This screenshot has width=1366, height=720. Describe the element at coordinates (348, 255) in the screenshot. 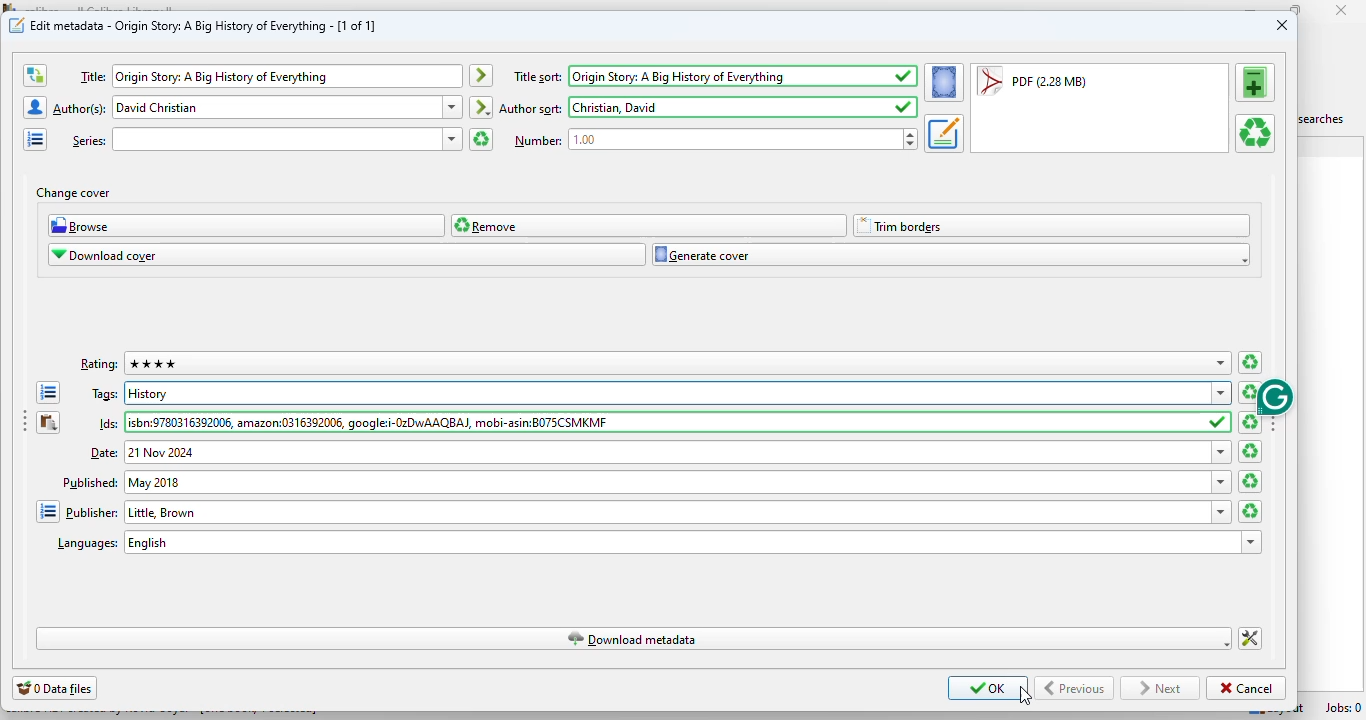

I see `download cover` at that location.